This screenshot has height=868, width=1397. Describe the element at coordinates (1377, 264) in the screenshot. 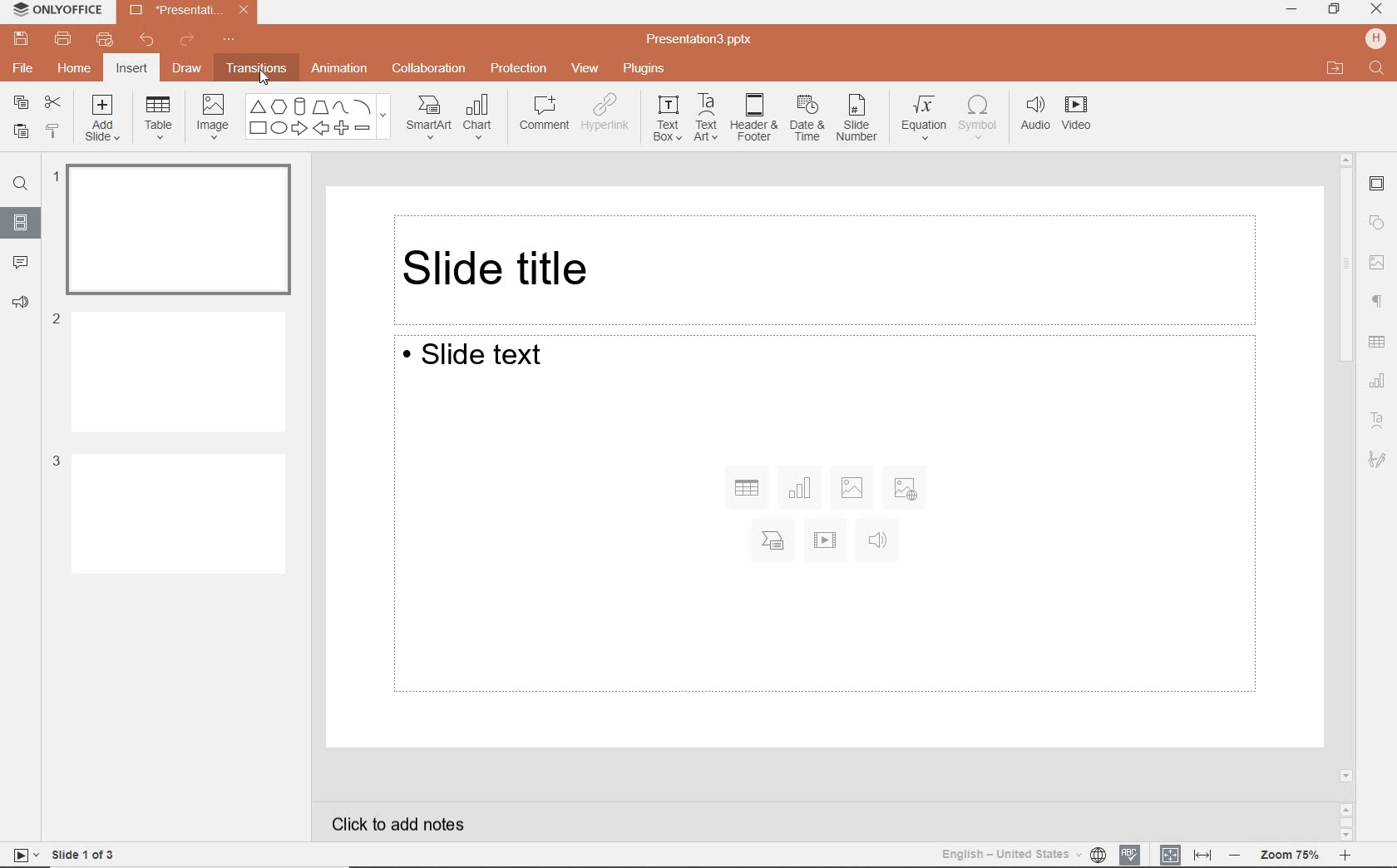

I see `navigation` at that location.